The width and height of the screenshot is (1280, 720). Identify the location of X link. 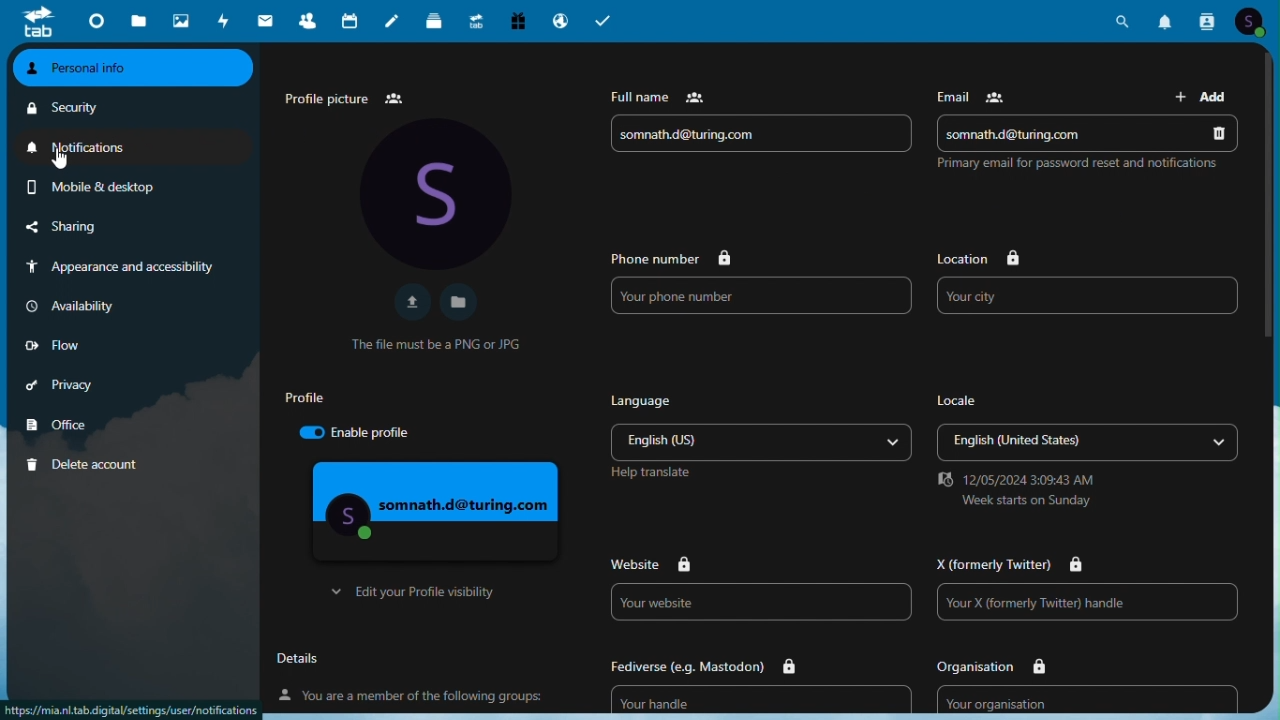
(1090, 602).